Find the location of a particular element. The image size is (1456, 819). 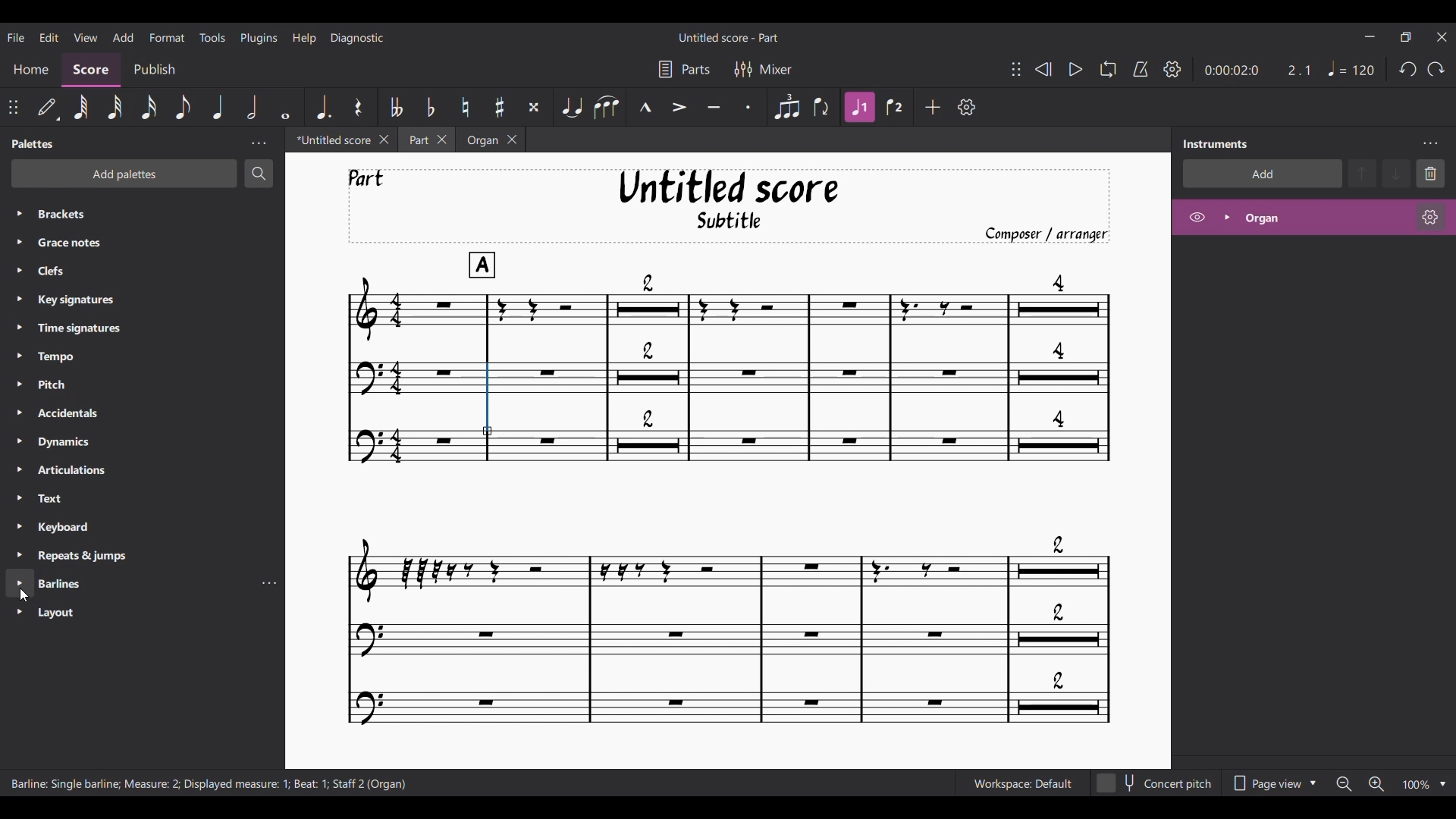

Close interface is located at coordinates (1442, 37).